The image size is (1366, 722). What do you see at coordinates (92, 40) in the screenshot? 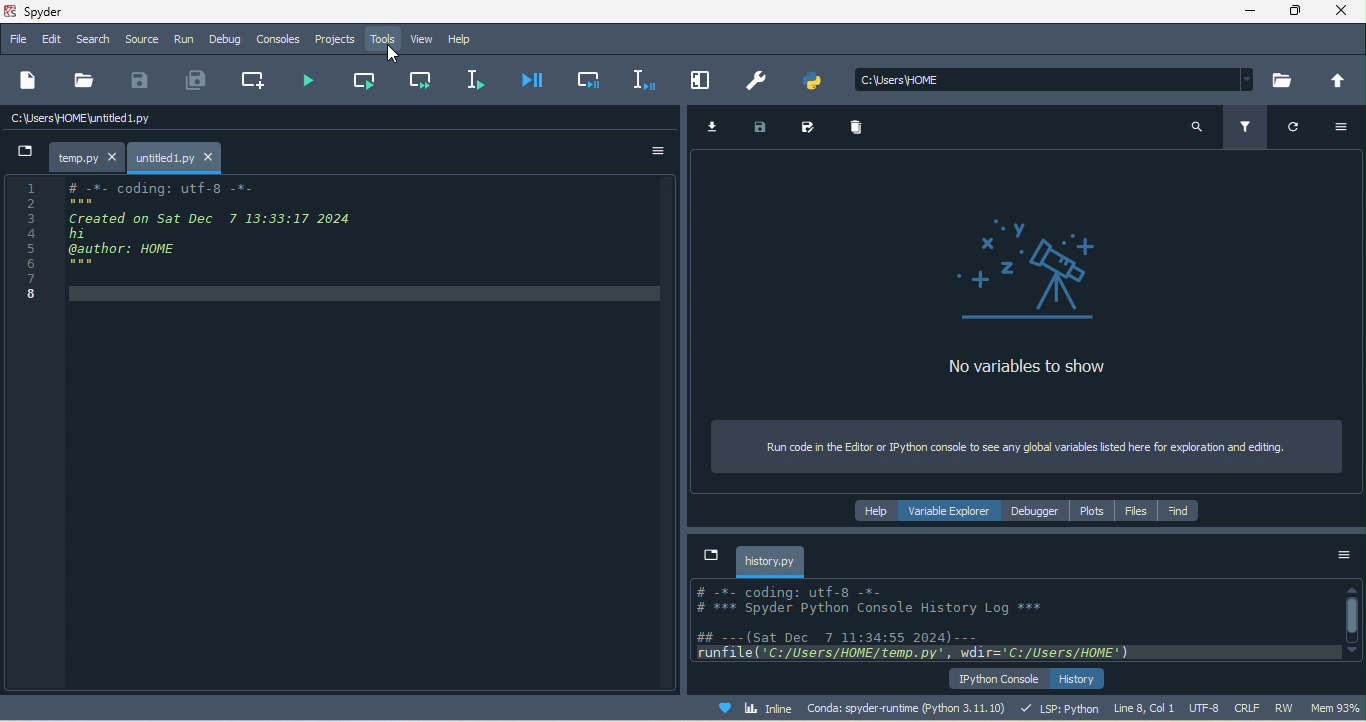
I see `search` at bounding box center [92, 40].